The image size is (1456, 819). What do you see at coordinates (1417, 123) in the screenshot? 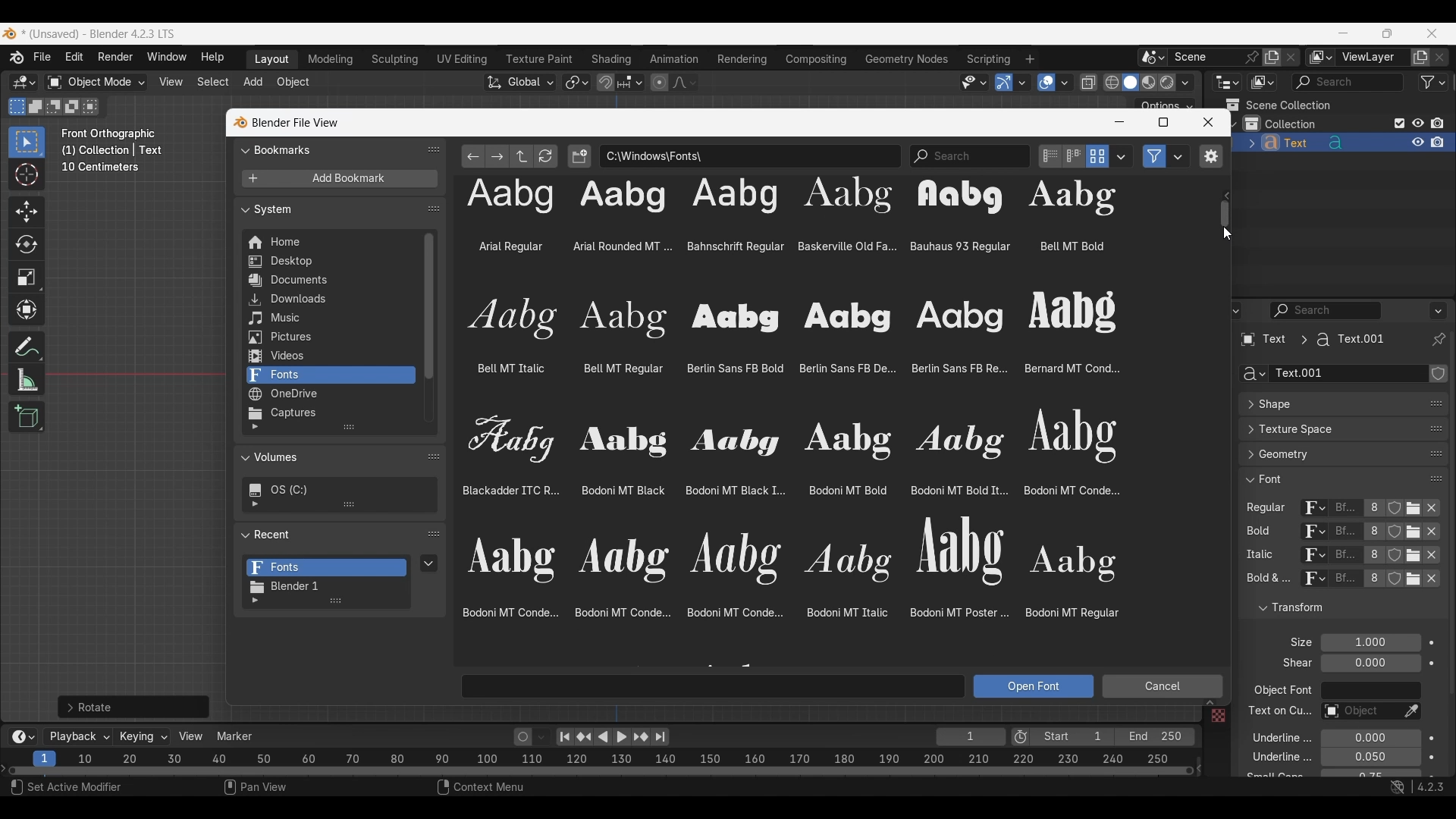
I see `Hide in viewport` at bounding box center [1417, 123].